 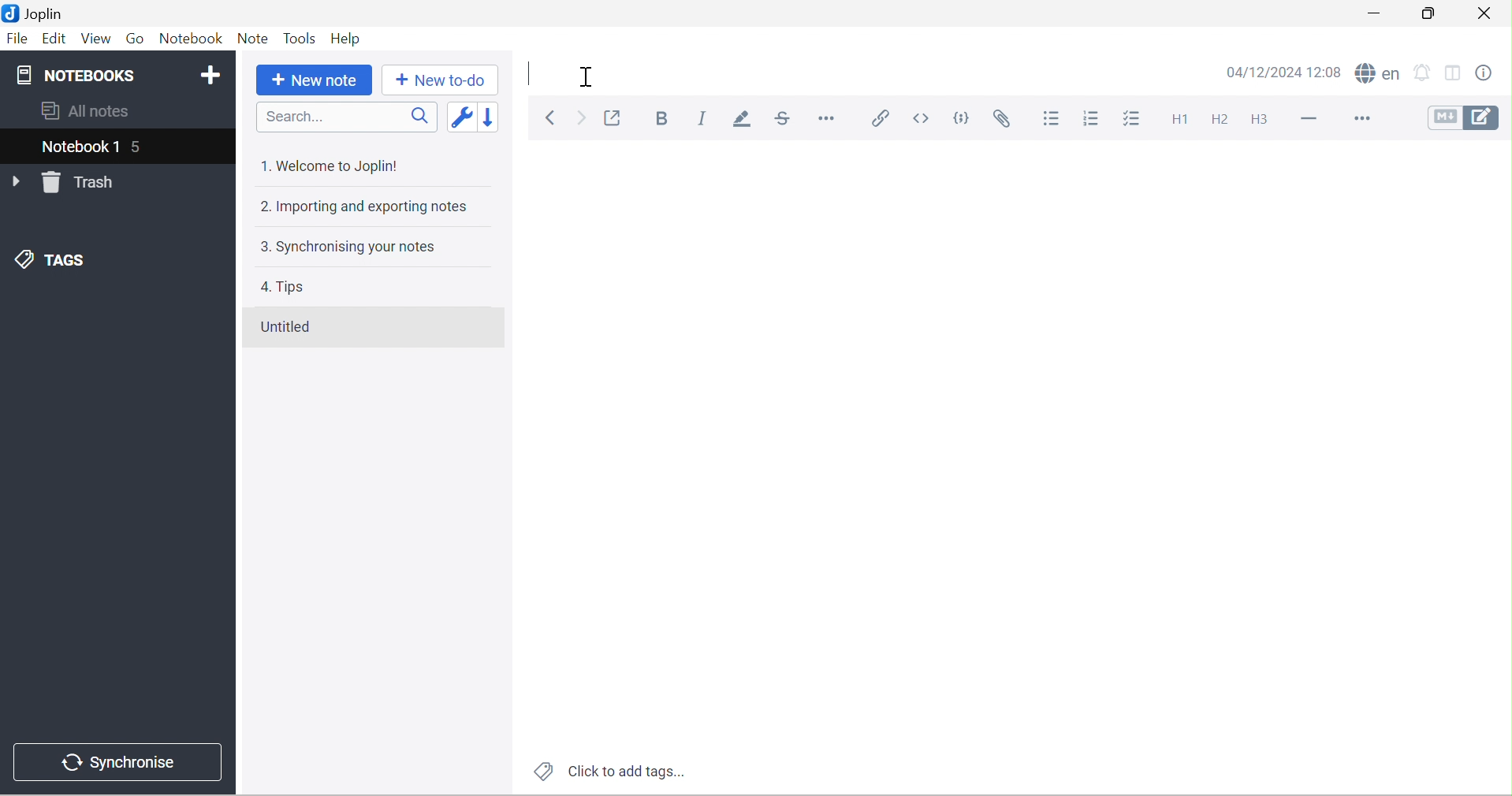 What do you see at coordinates (18, 39) in the screenshot?
I see `File` at bounding box center [18, 39].